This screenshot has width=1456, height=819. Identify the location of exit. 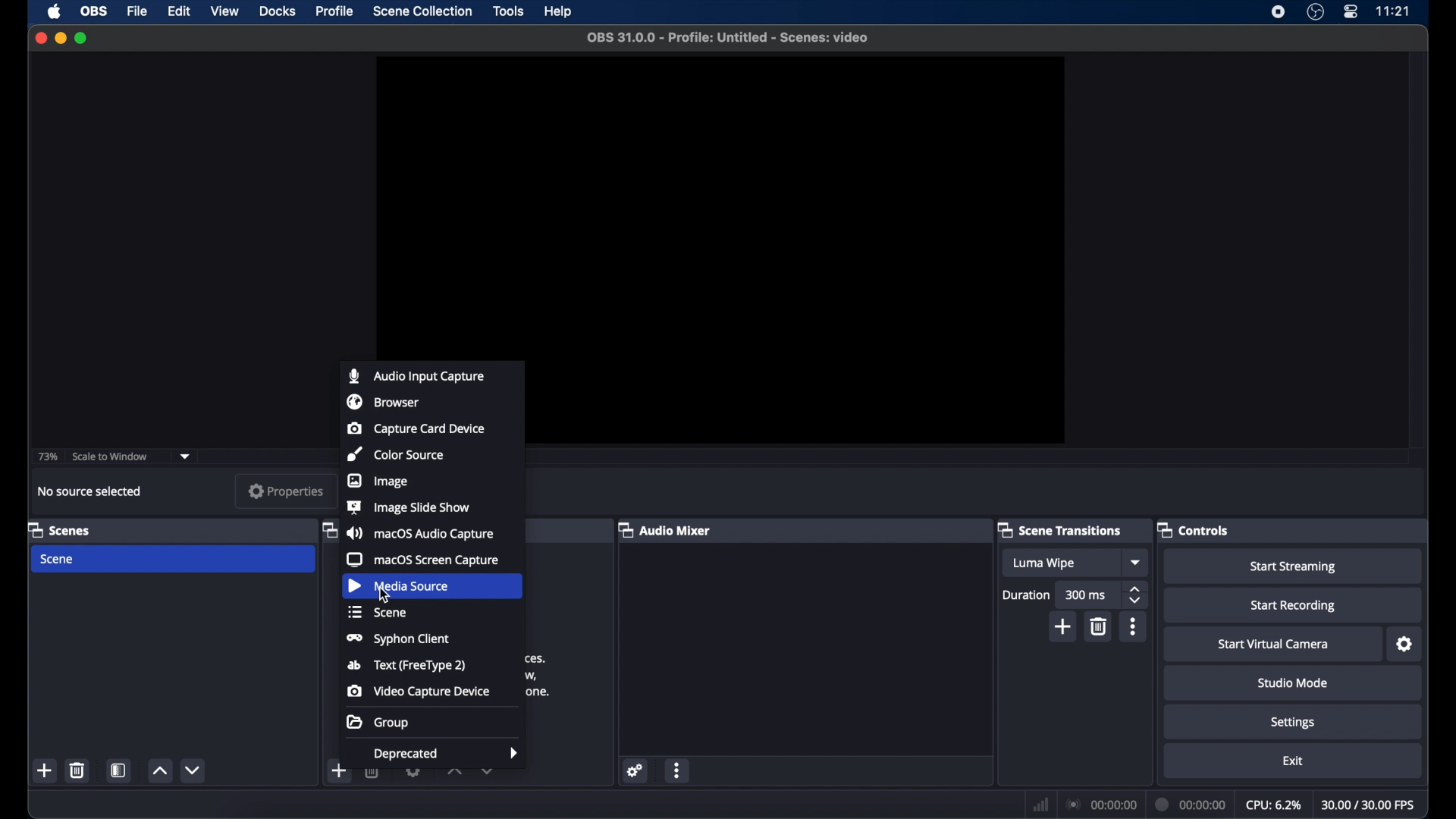
(1293, 761).